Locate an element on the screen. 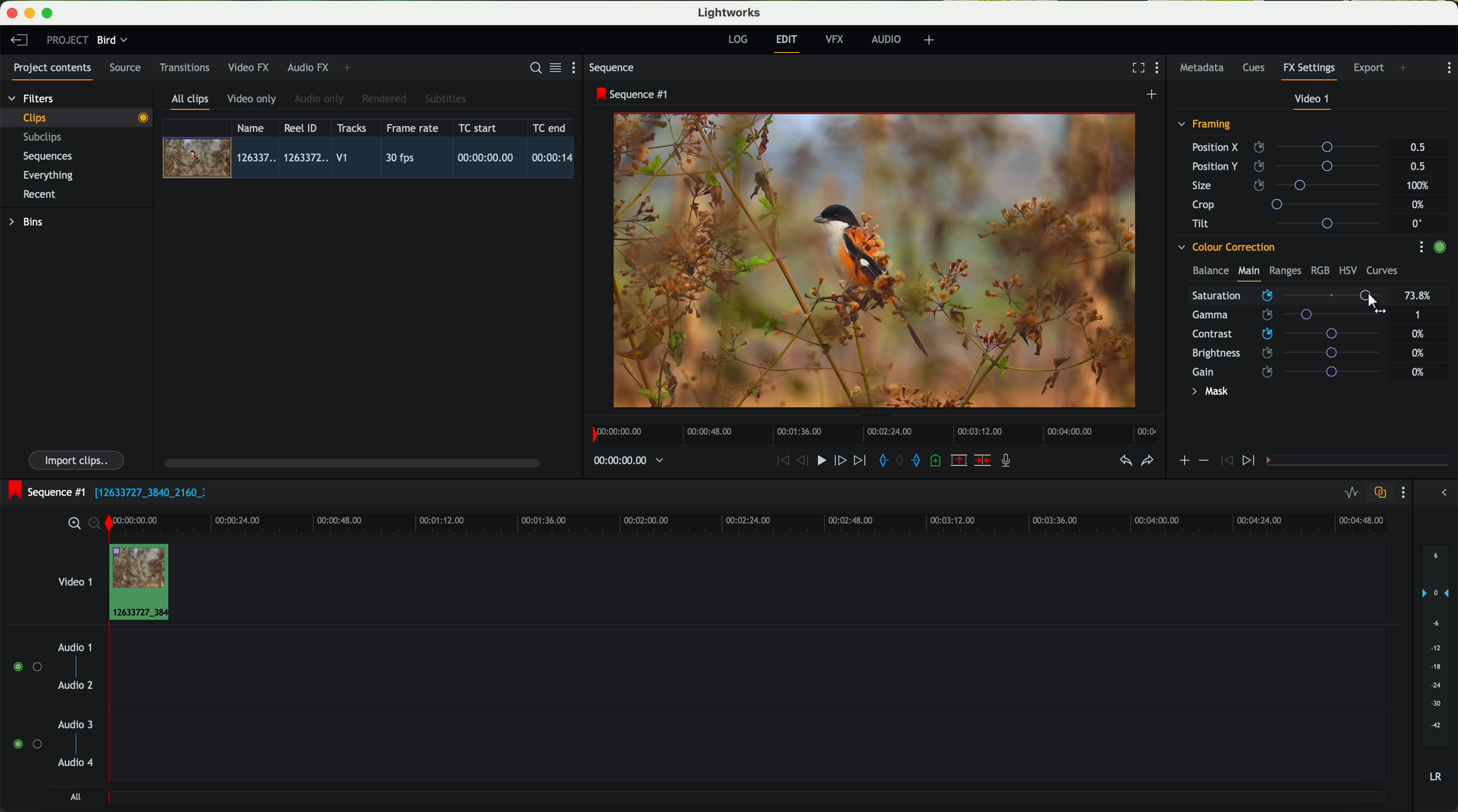  export is located at coordinates (1369, 69).